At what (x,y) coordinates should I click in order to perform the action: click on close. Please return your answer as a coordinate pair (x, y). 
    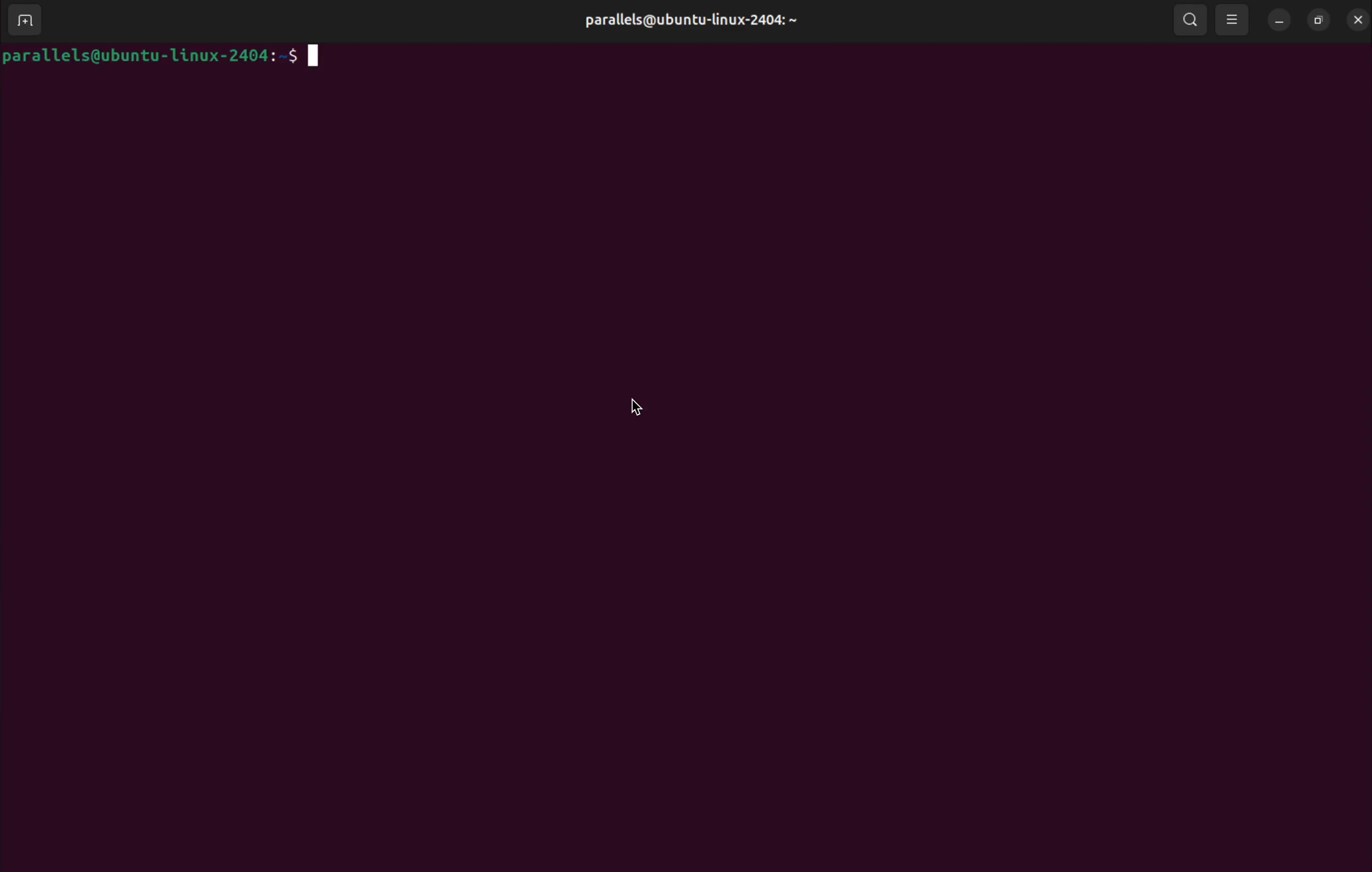
    Looking at the image, I should click on (1356, 21).